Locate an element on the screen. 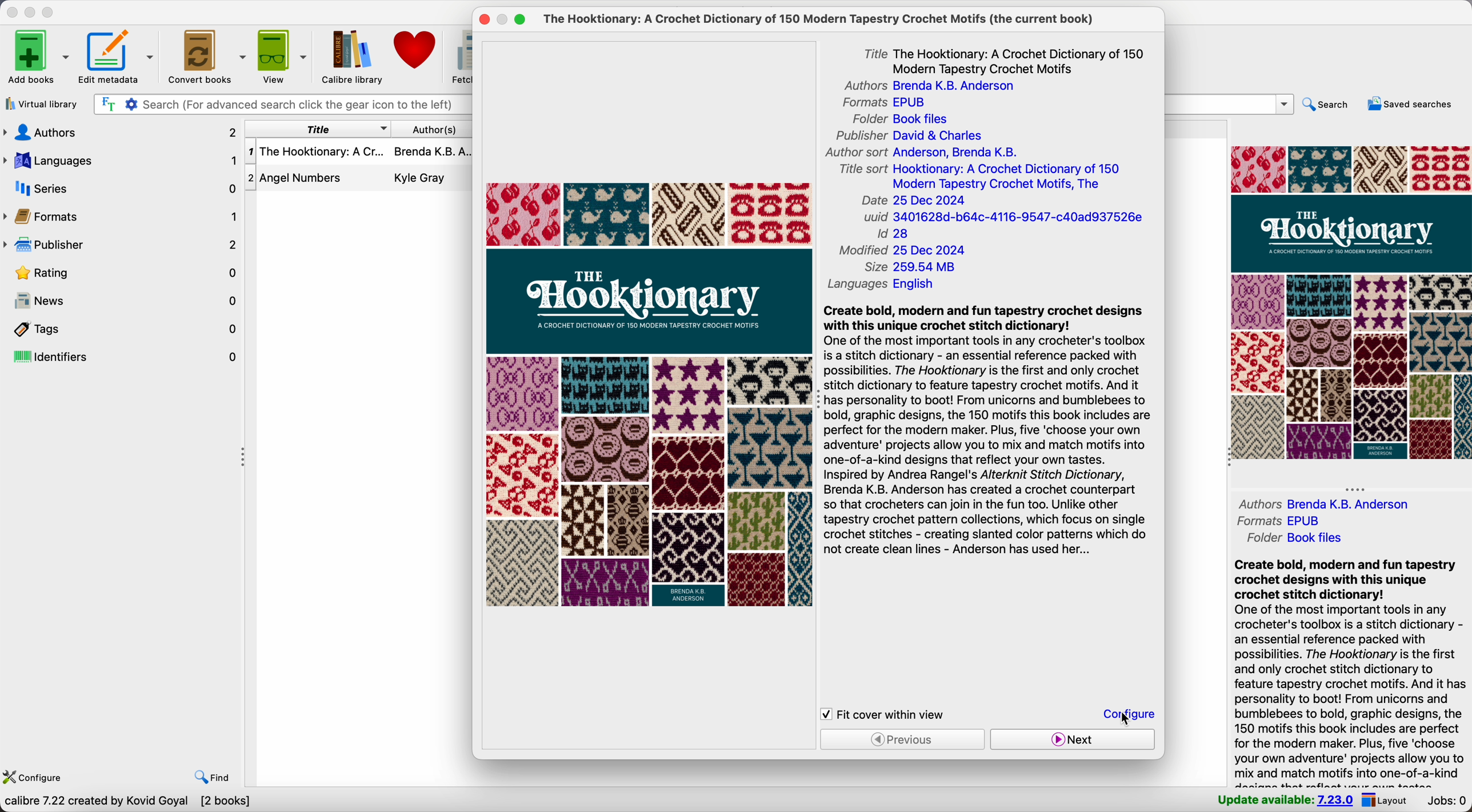 This screenshot has width=1472, height=812. authors is located at coordinates (925, 86).